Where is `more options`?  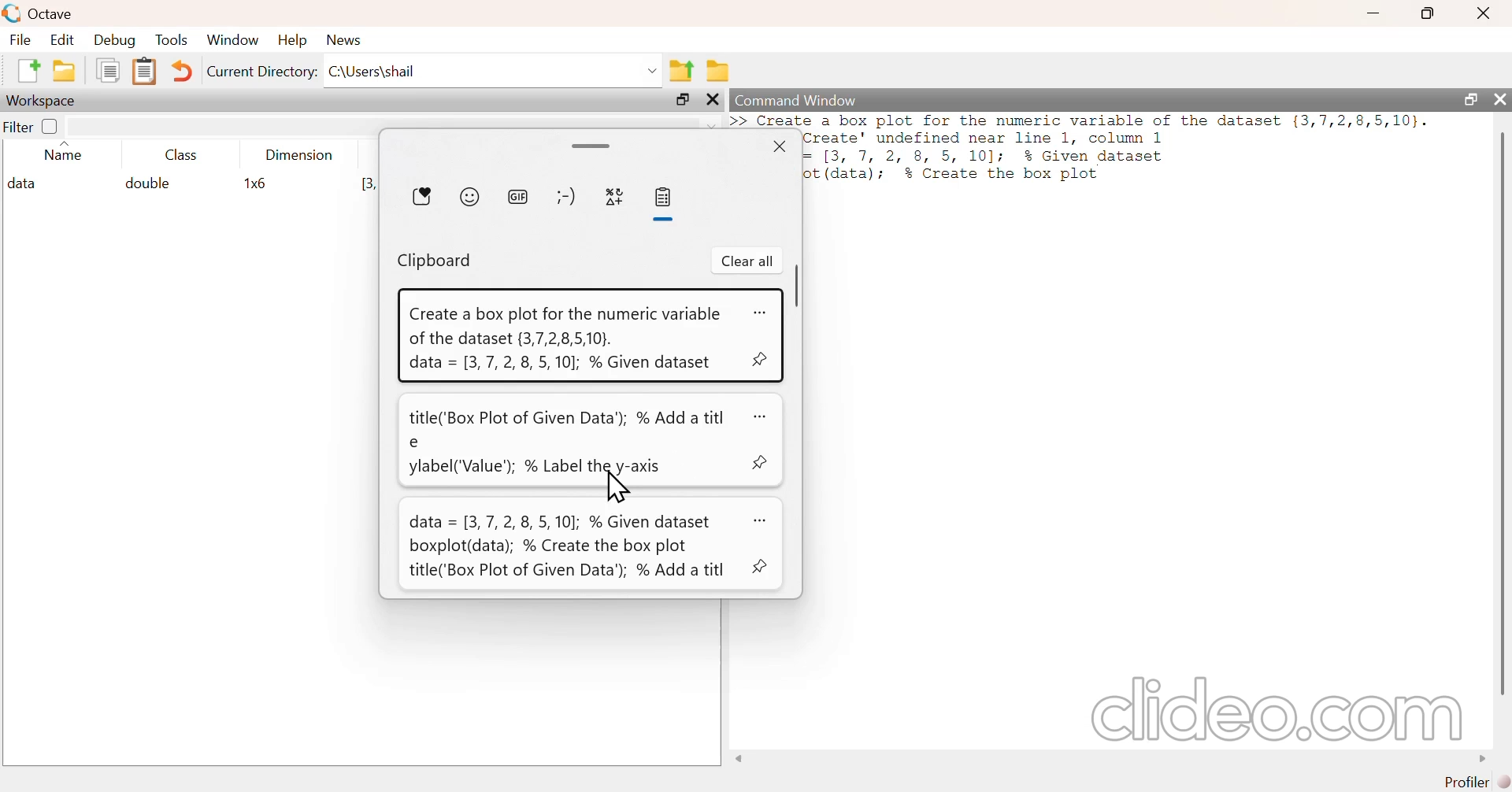 more options is located at coordinates (763, 517).